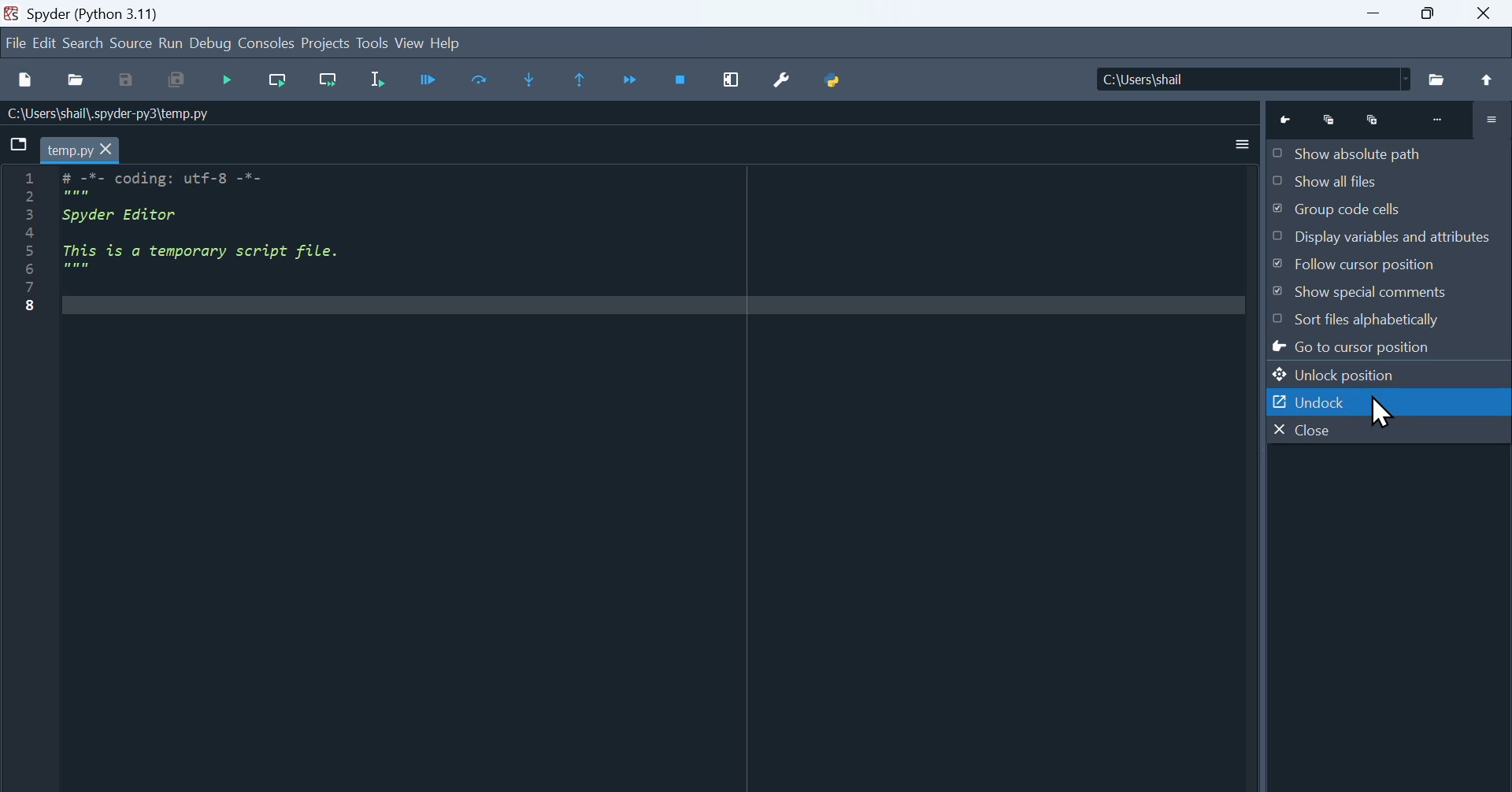  I want to click on Continue execution until next function, so click(629, 80).